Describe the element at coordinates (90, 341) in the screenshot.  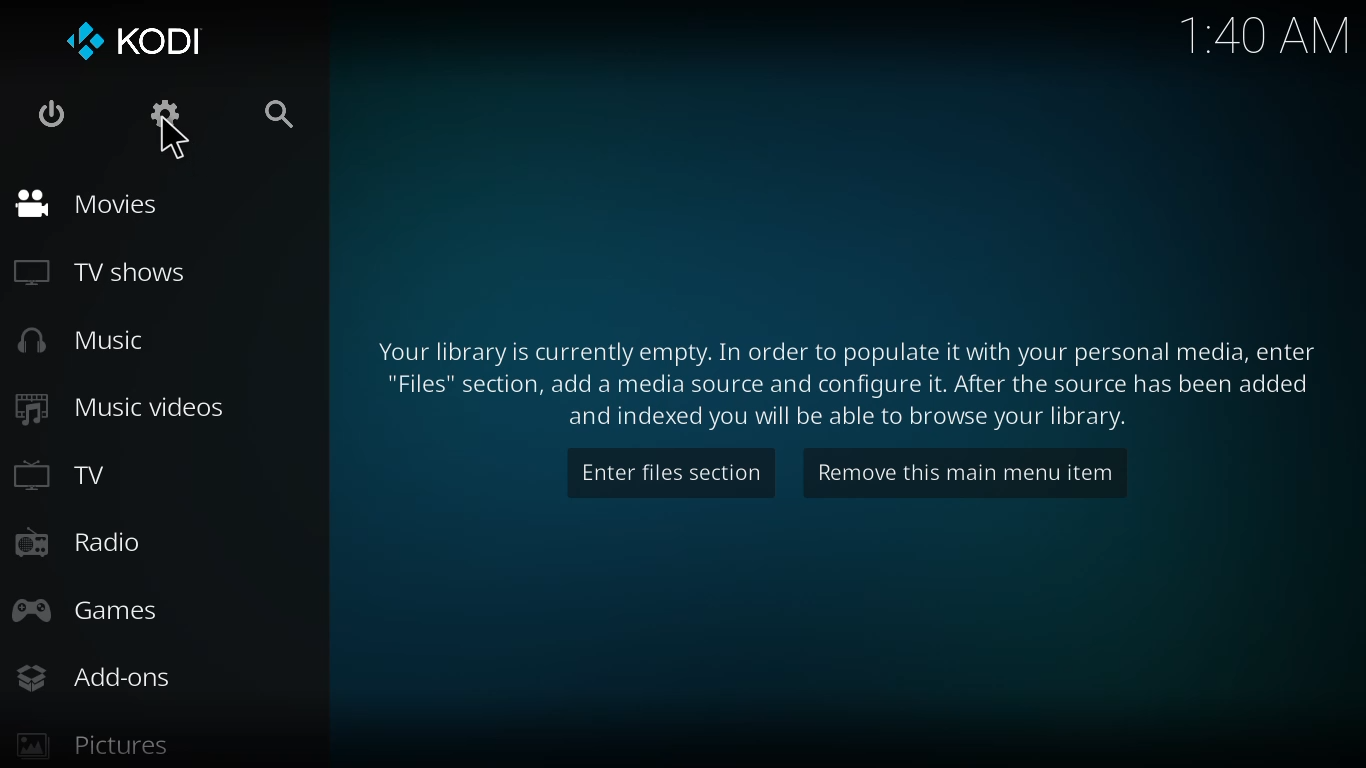
I see `music` at that location.